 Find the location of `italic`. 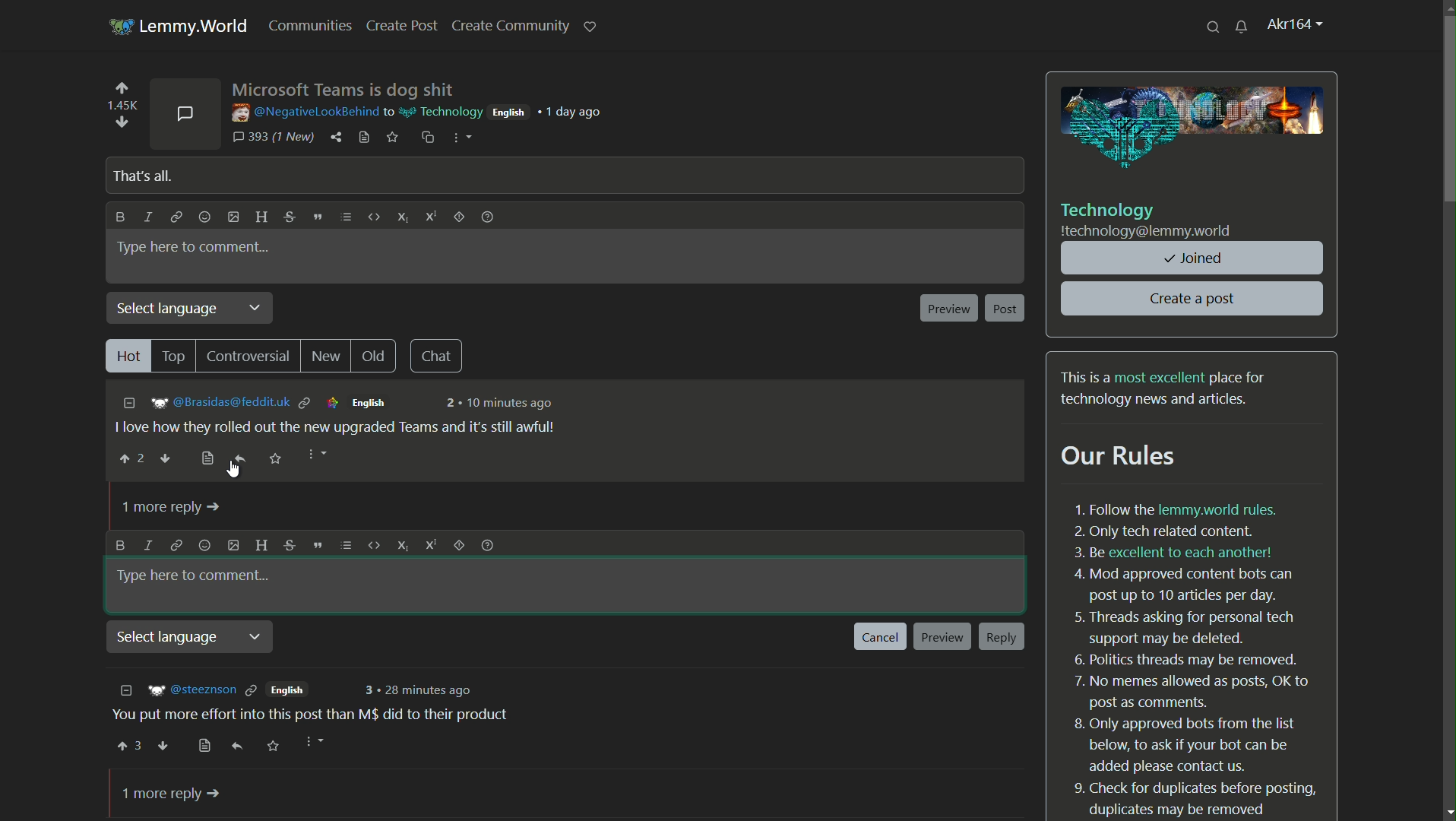

italic is located at coordinates (150, 217).